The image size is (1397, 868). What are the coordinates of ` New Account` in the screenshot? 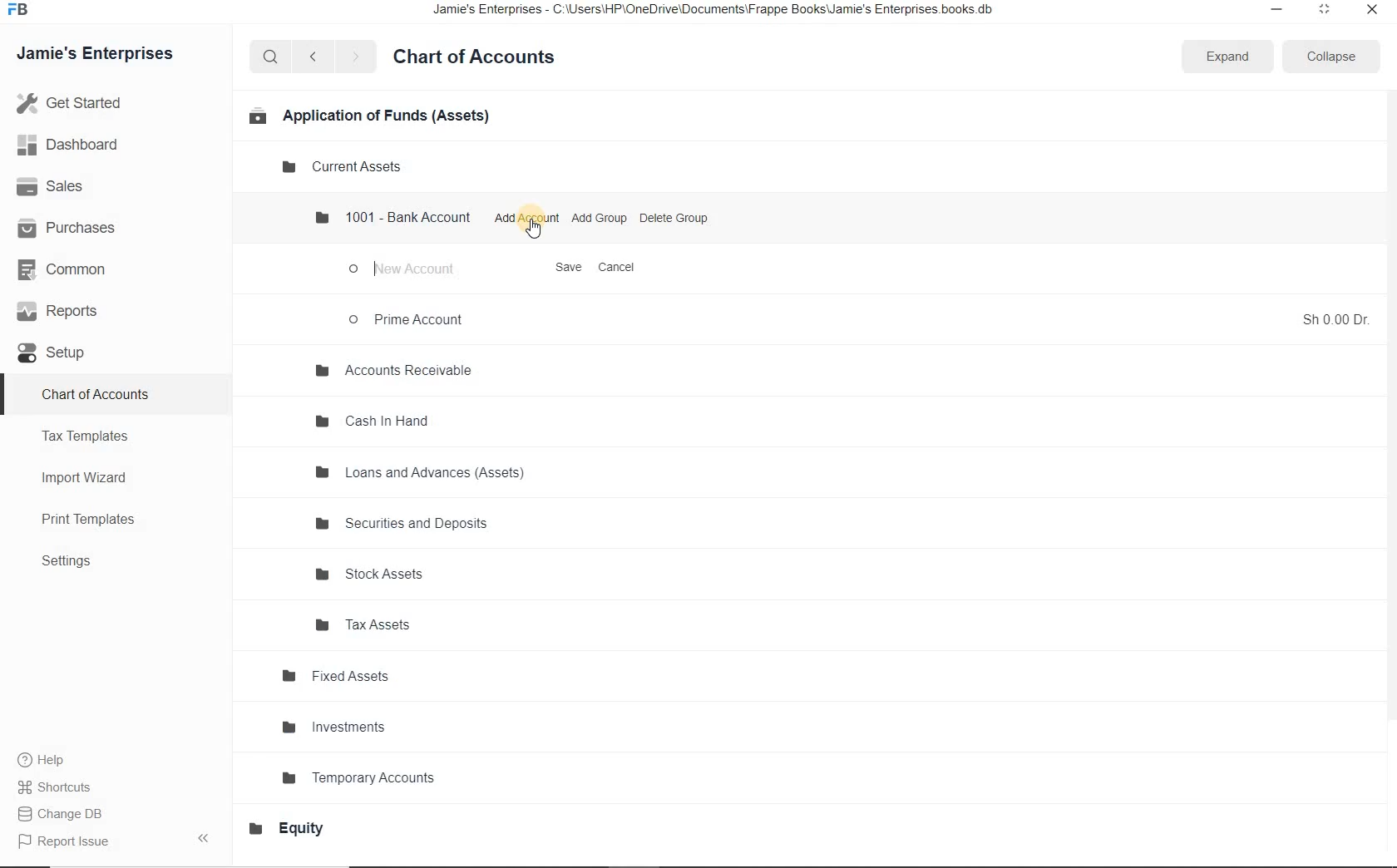 It's located at (407, 270).